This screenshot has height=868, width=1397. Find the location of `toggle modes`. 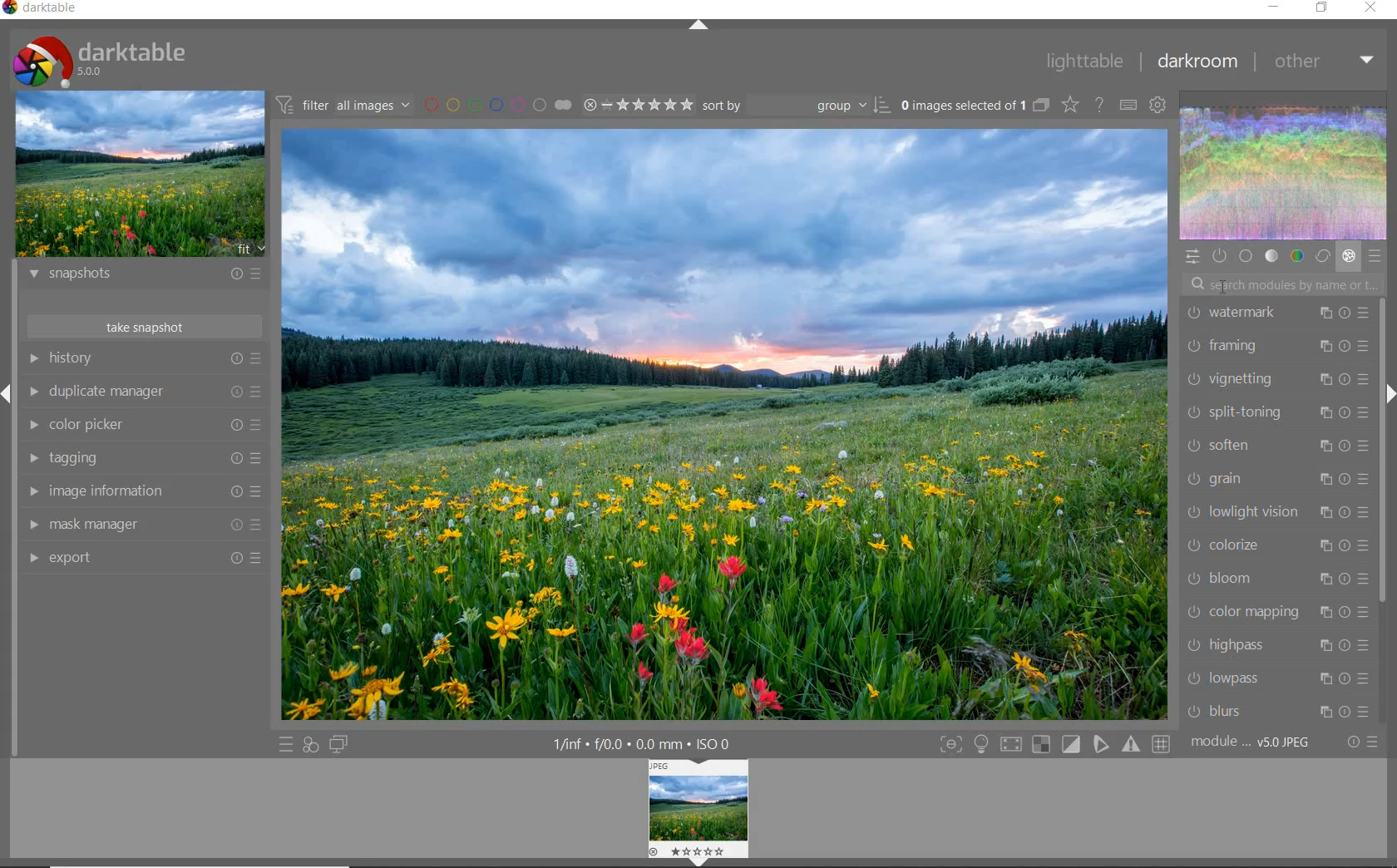

toggle modes is located at coordinates (1055, 745).